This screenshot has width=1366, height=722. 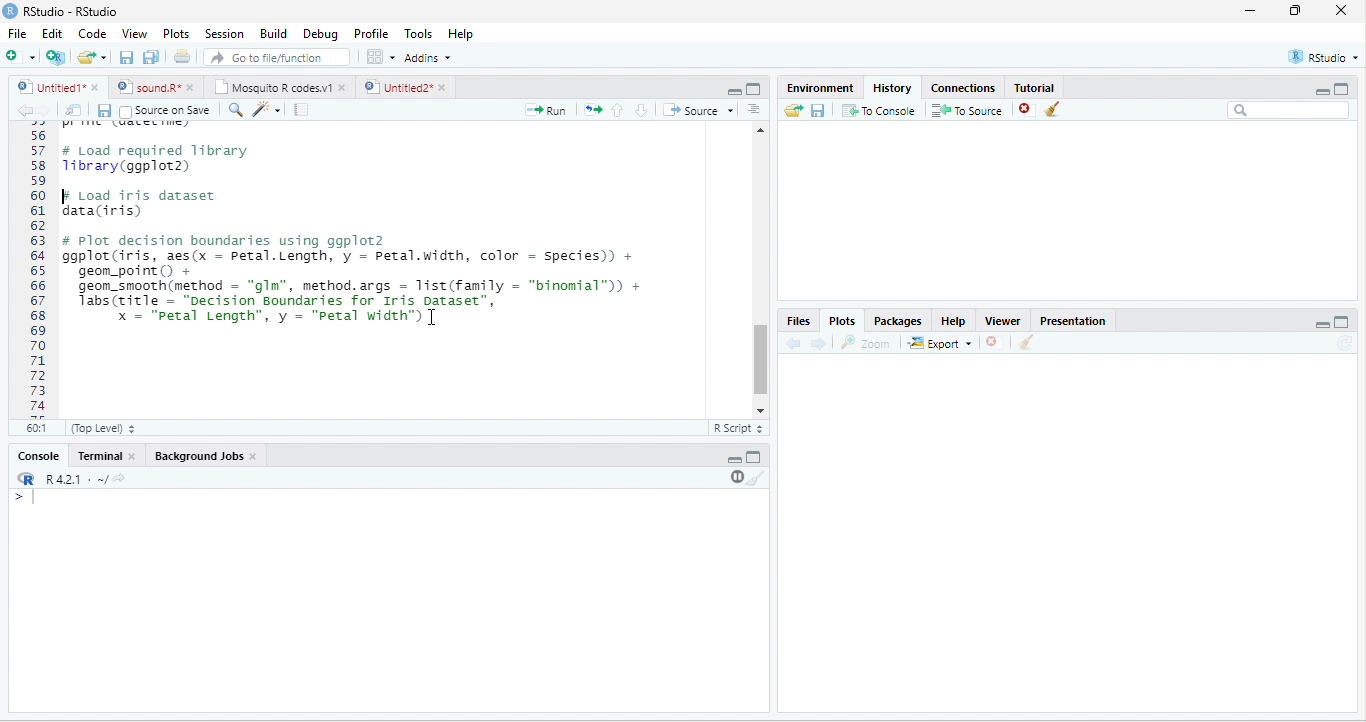 What do you see at coordinates (754, 457) in the screenshot?
I see `Maximize` at bounding box center [754, 457].